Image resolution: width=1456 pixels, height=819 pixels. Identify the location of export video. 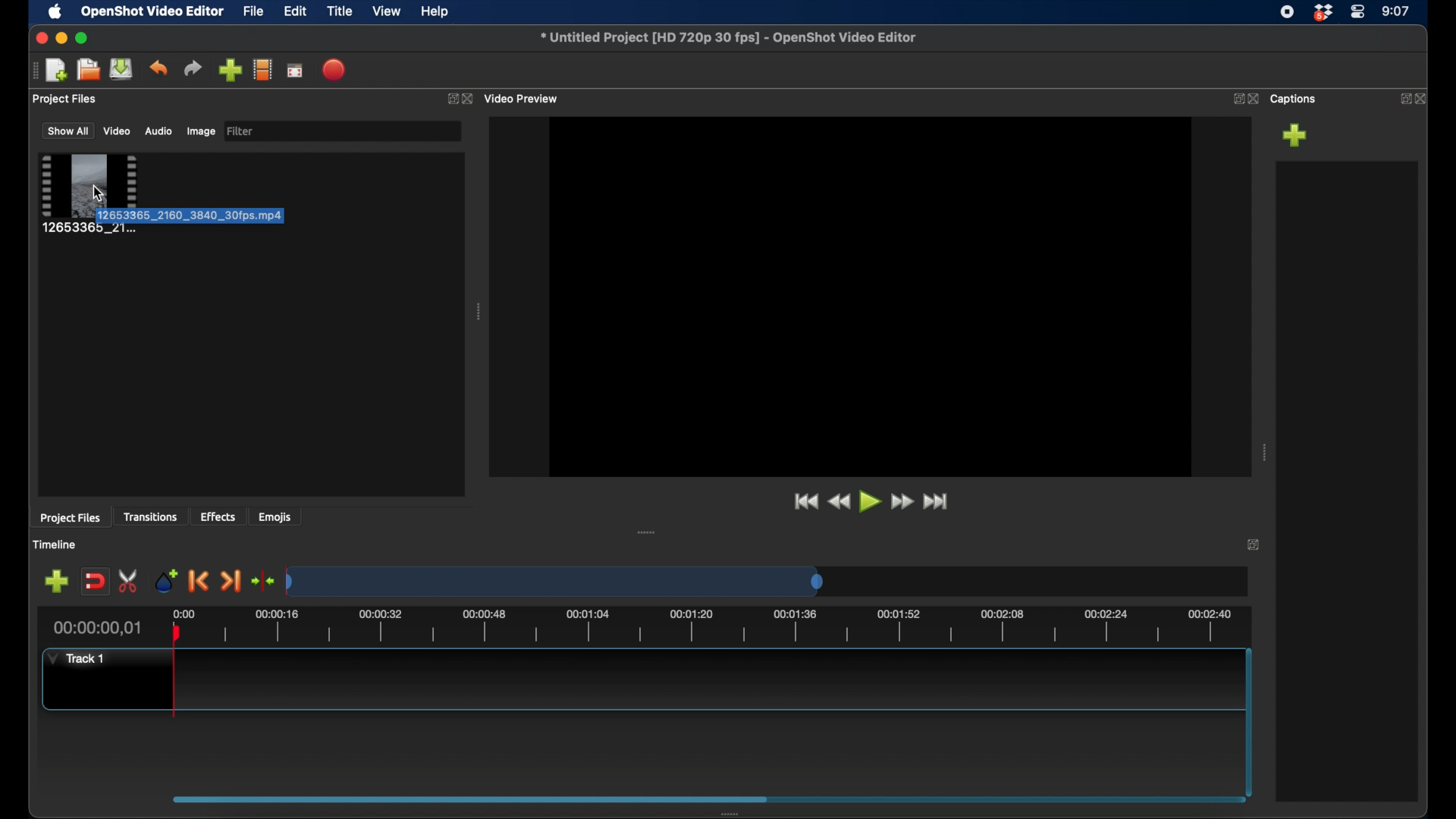
(332, 70).